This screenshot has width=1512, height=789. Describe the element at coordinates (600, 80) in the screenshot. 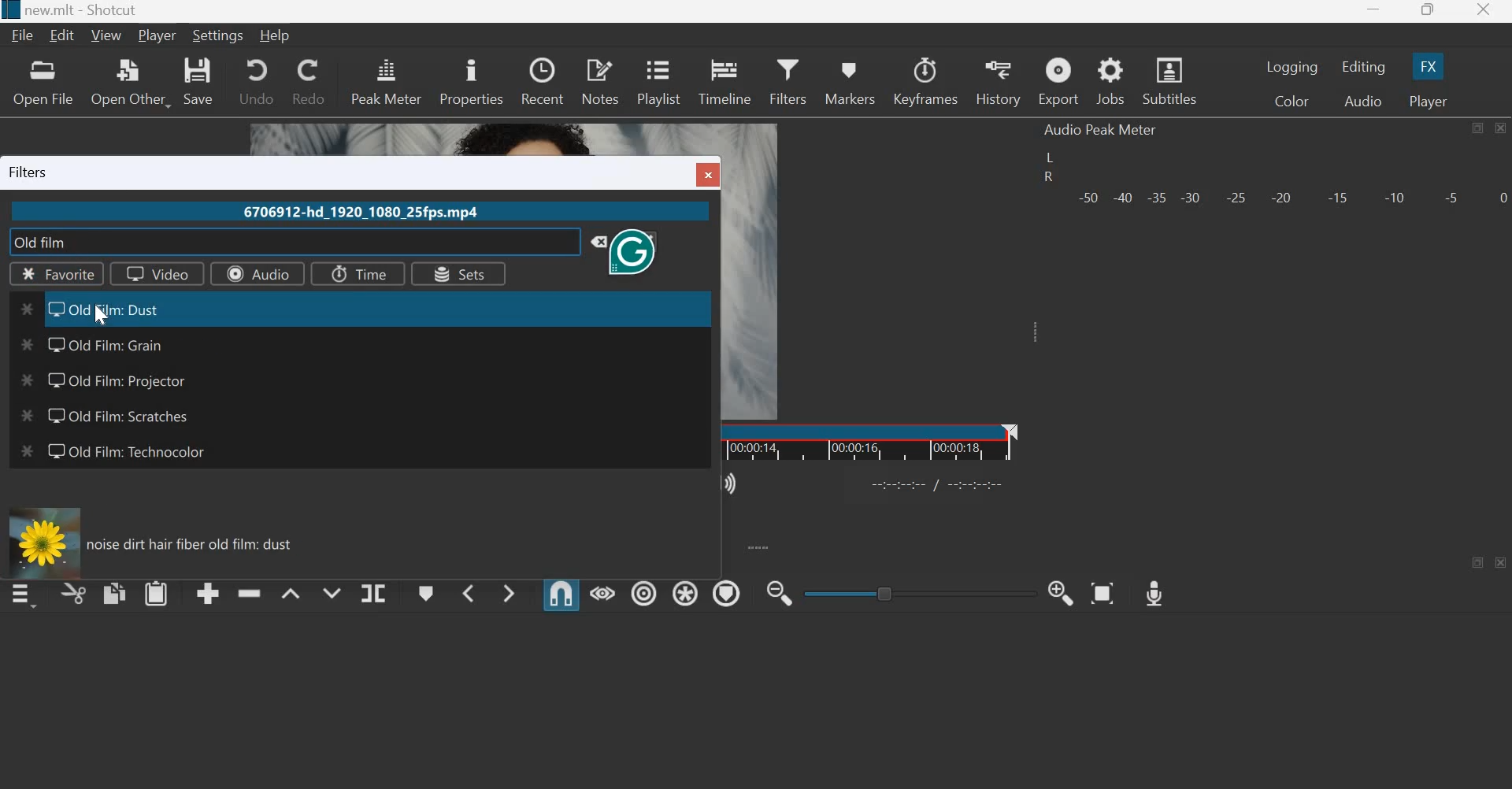

I see `notes` at that location.